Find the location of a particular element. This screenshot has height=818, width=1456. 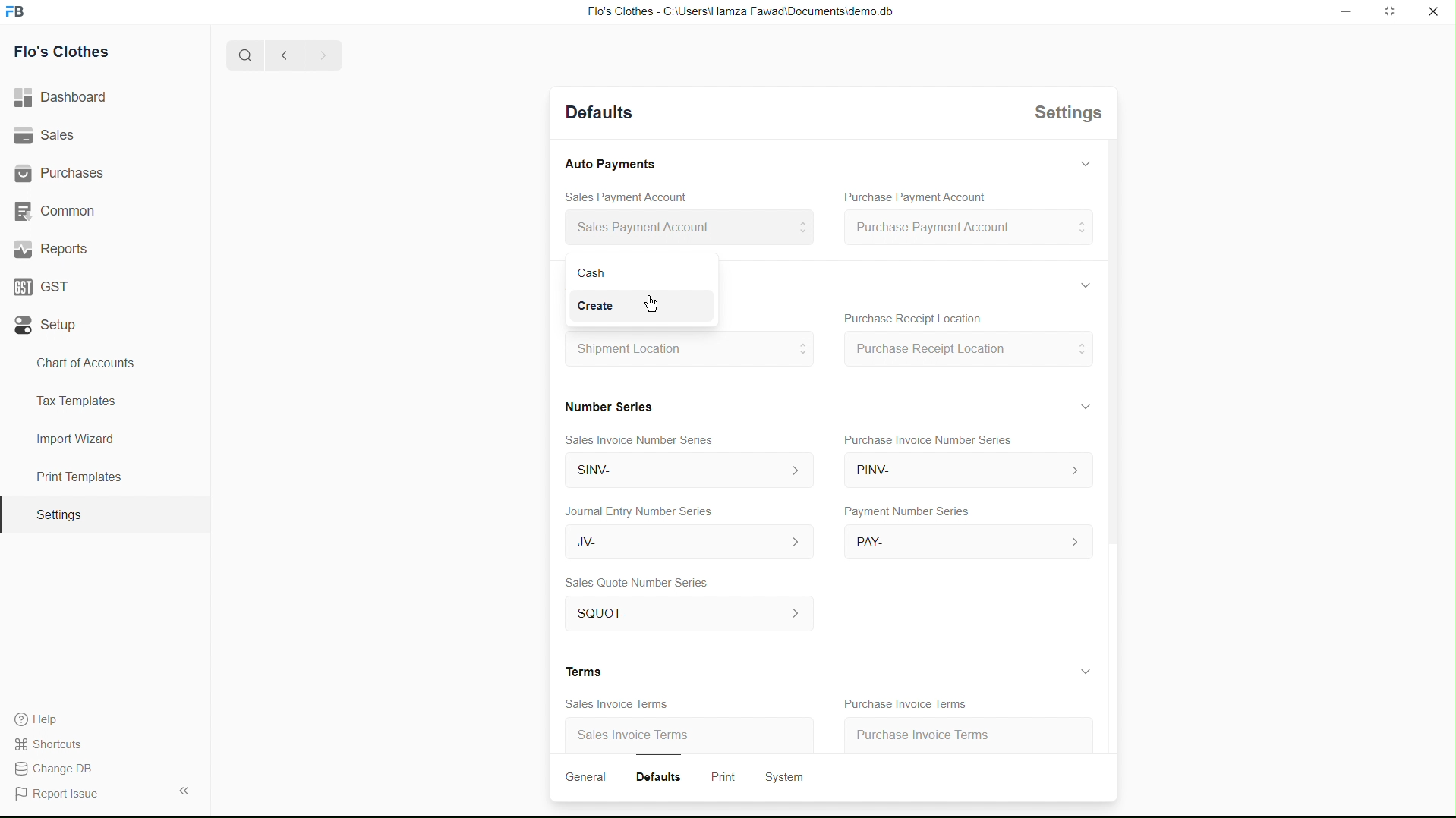

sales Payment Account is located at coordinates (684, 225).